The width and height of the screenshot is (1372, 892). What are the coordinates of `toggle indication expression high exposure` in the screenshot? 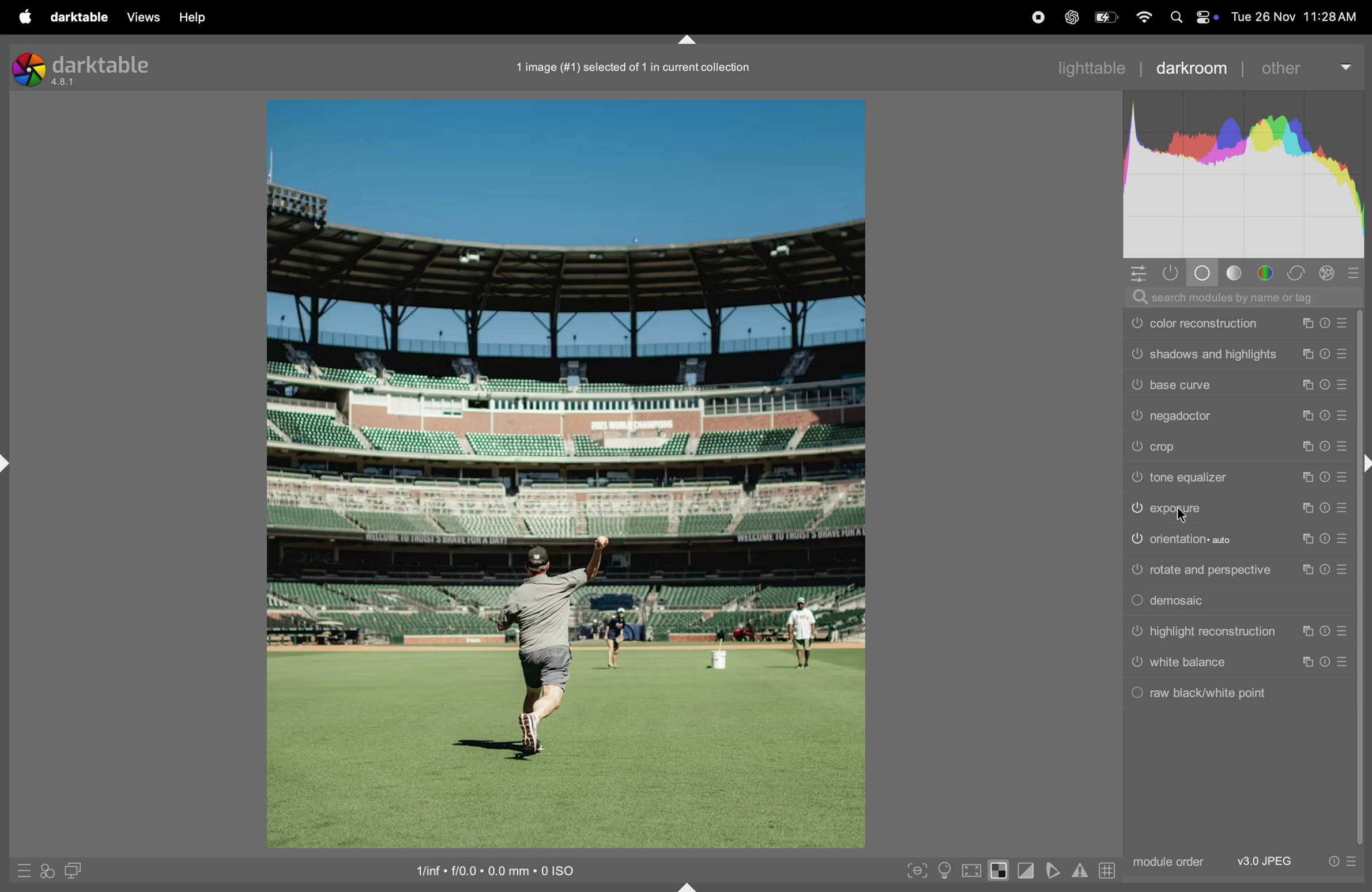 It's located at (1000, 870).